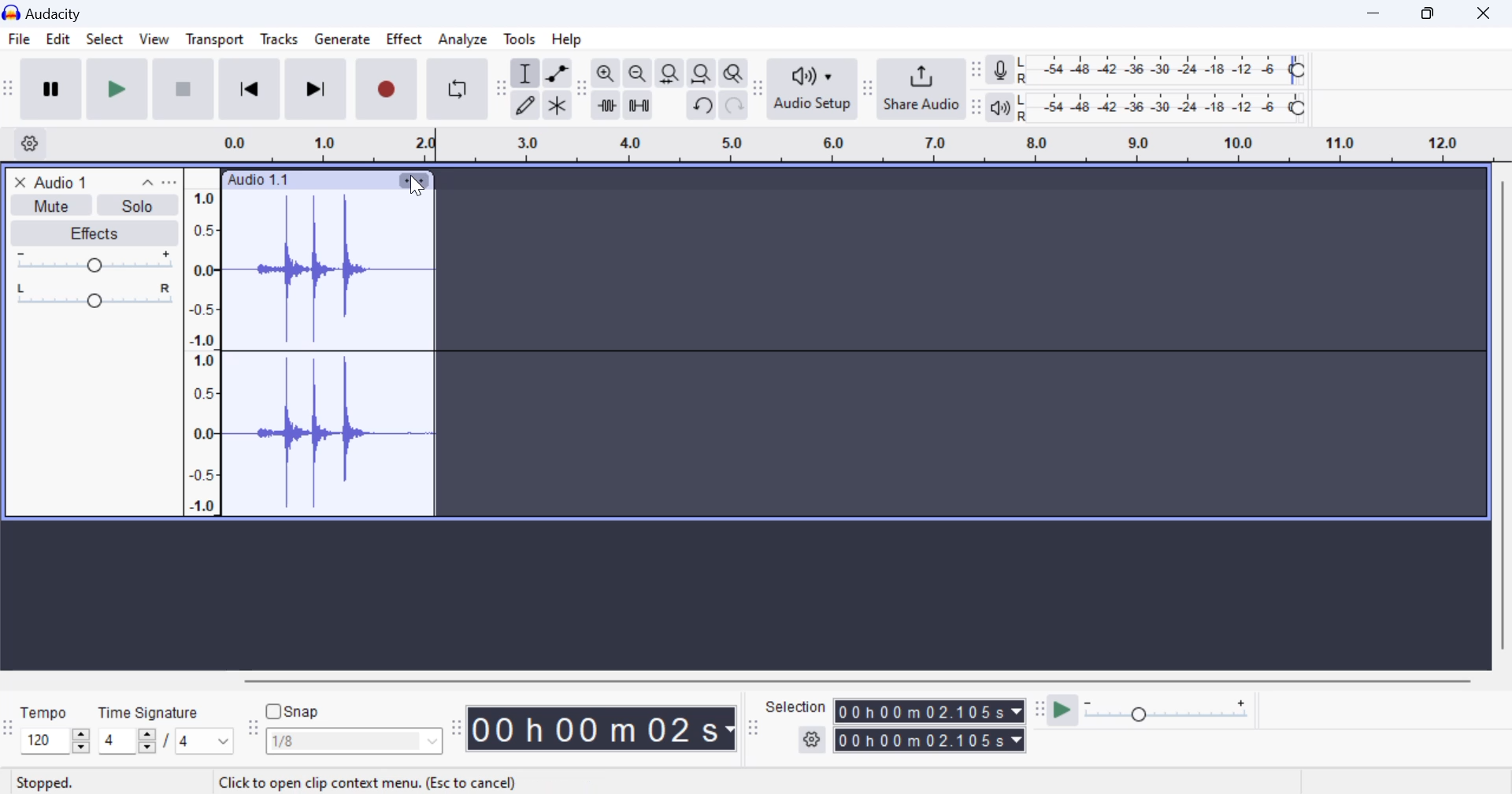  I want to click on collapse, so click(146, 181).